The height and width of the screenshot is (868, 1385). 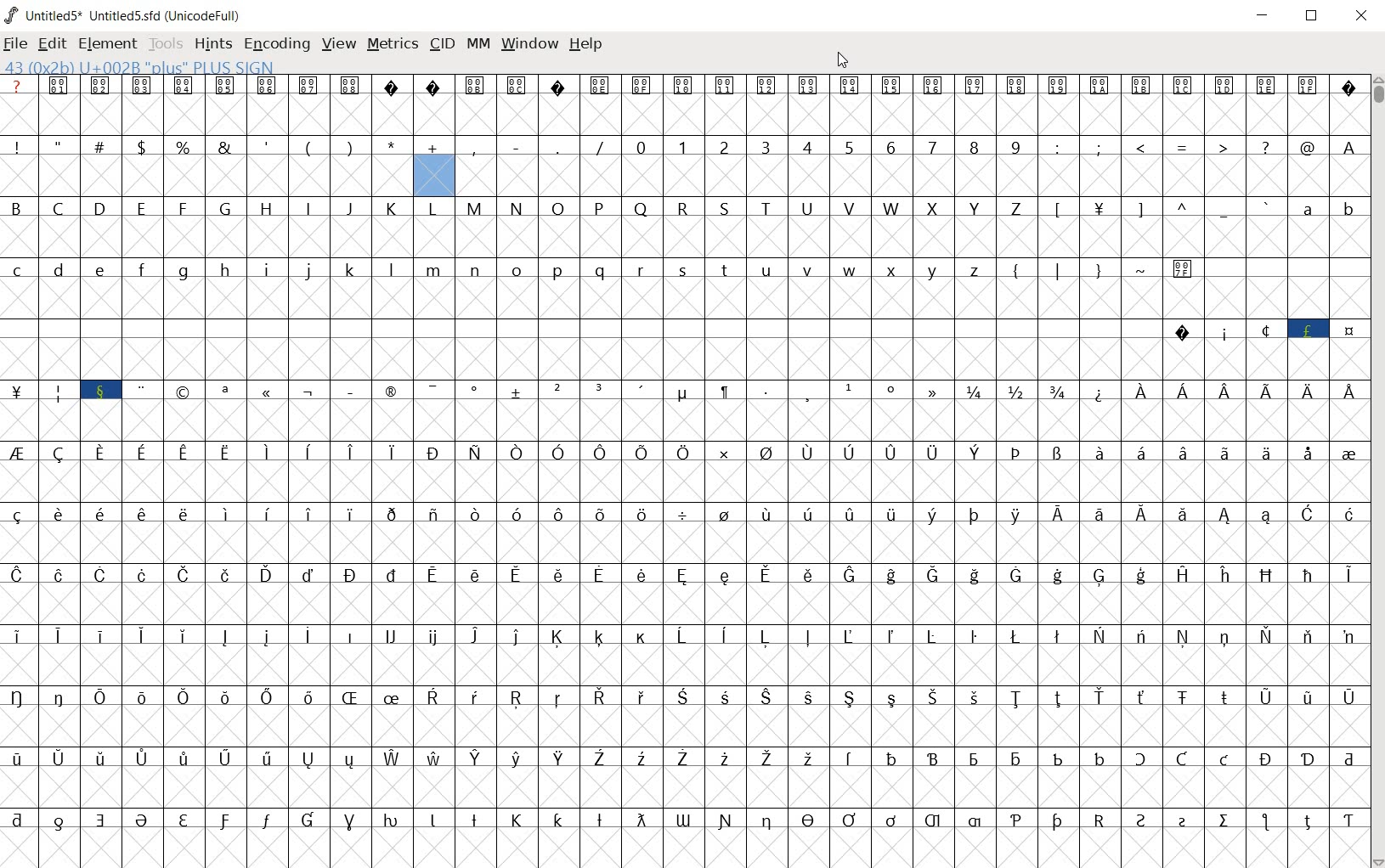 I want to click on Latin extended characters, so click(x=726, y=471).